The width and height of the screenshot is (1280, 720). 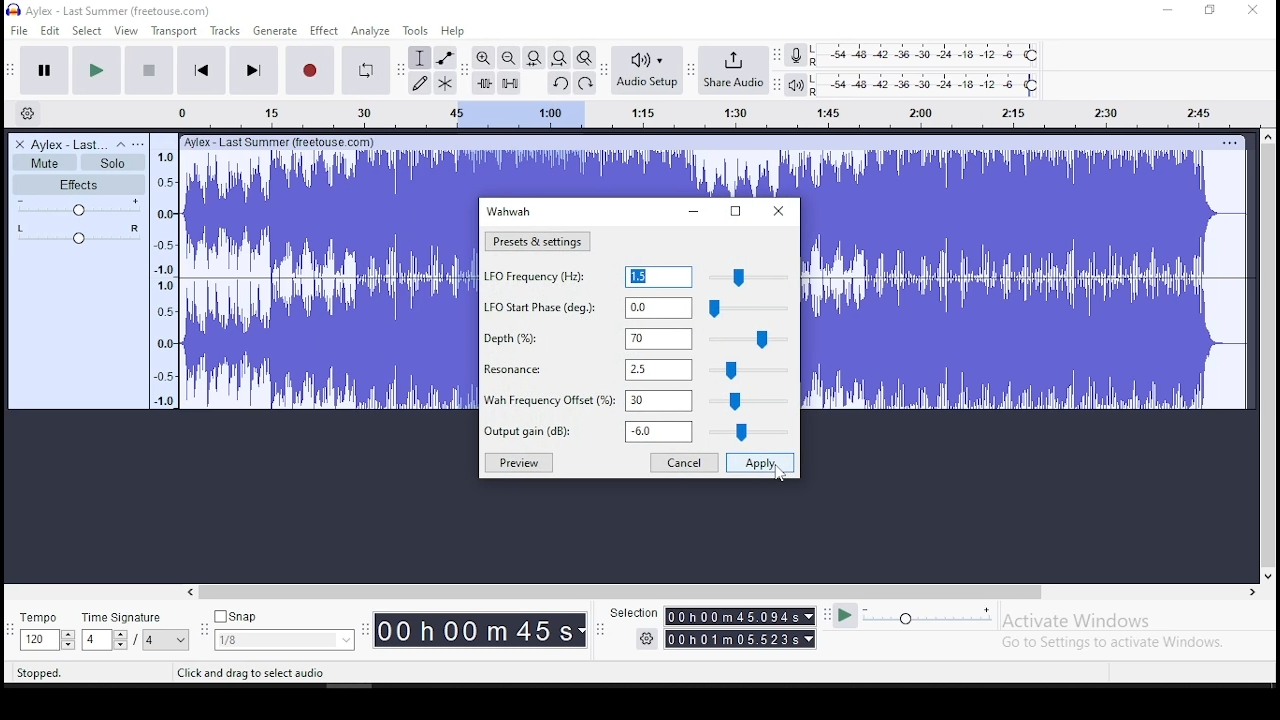 What do you see at coordinates (735, 211) in the screenshot?
I see `restore` at bounding box center [735, 211].